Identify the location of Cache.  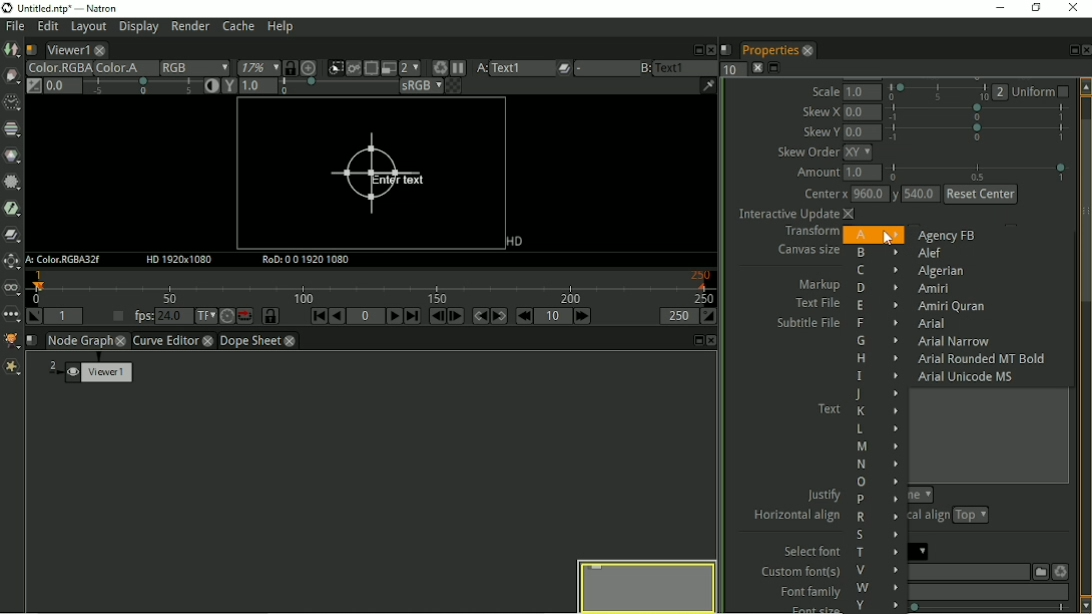
(238, 27).